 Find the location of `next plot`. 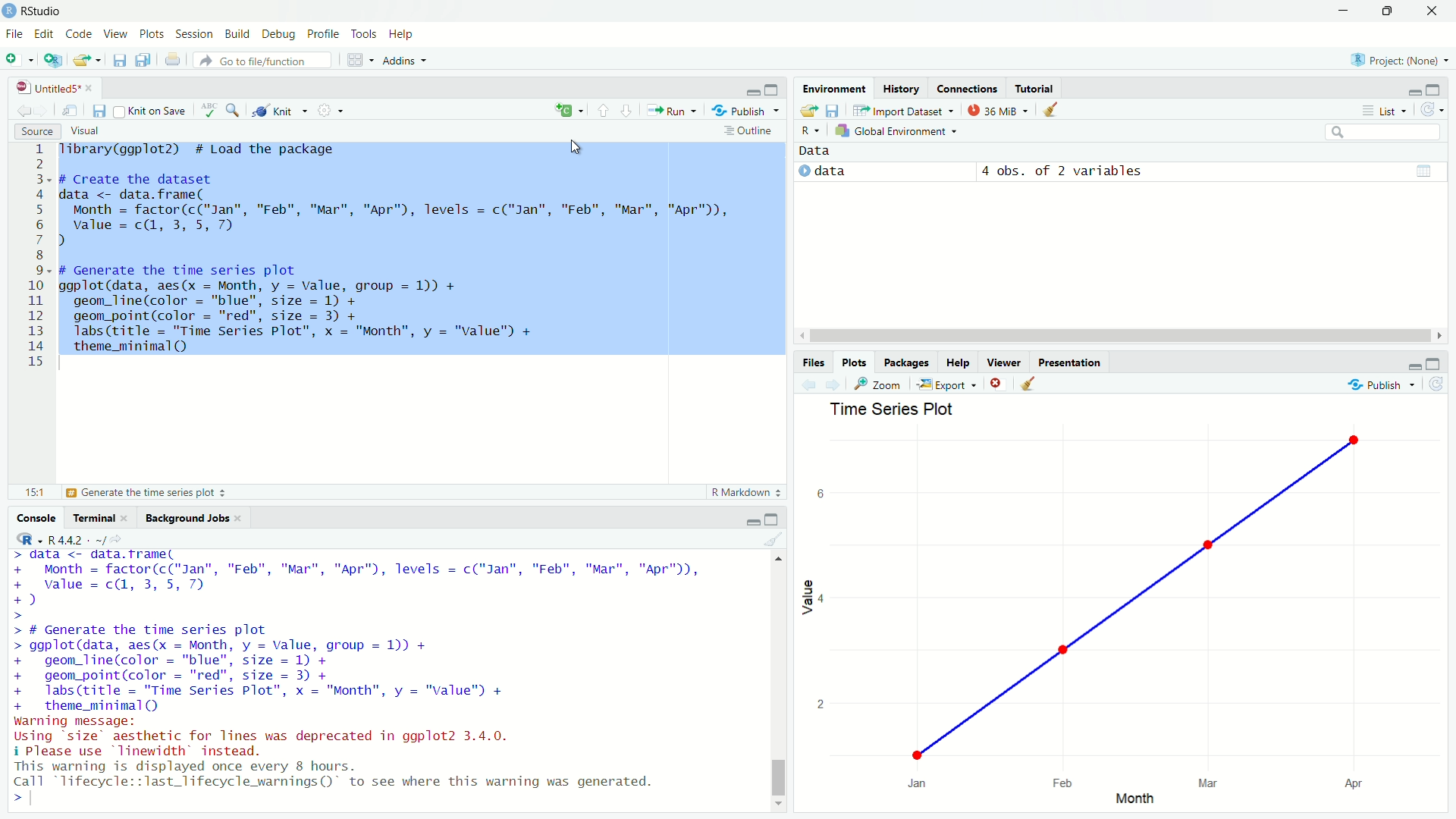

next plot is located at coordinates (833, 385).